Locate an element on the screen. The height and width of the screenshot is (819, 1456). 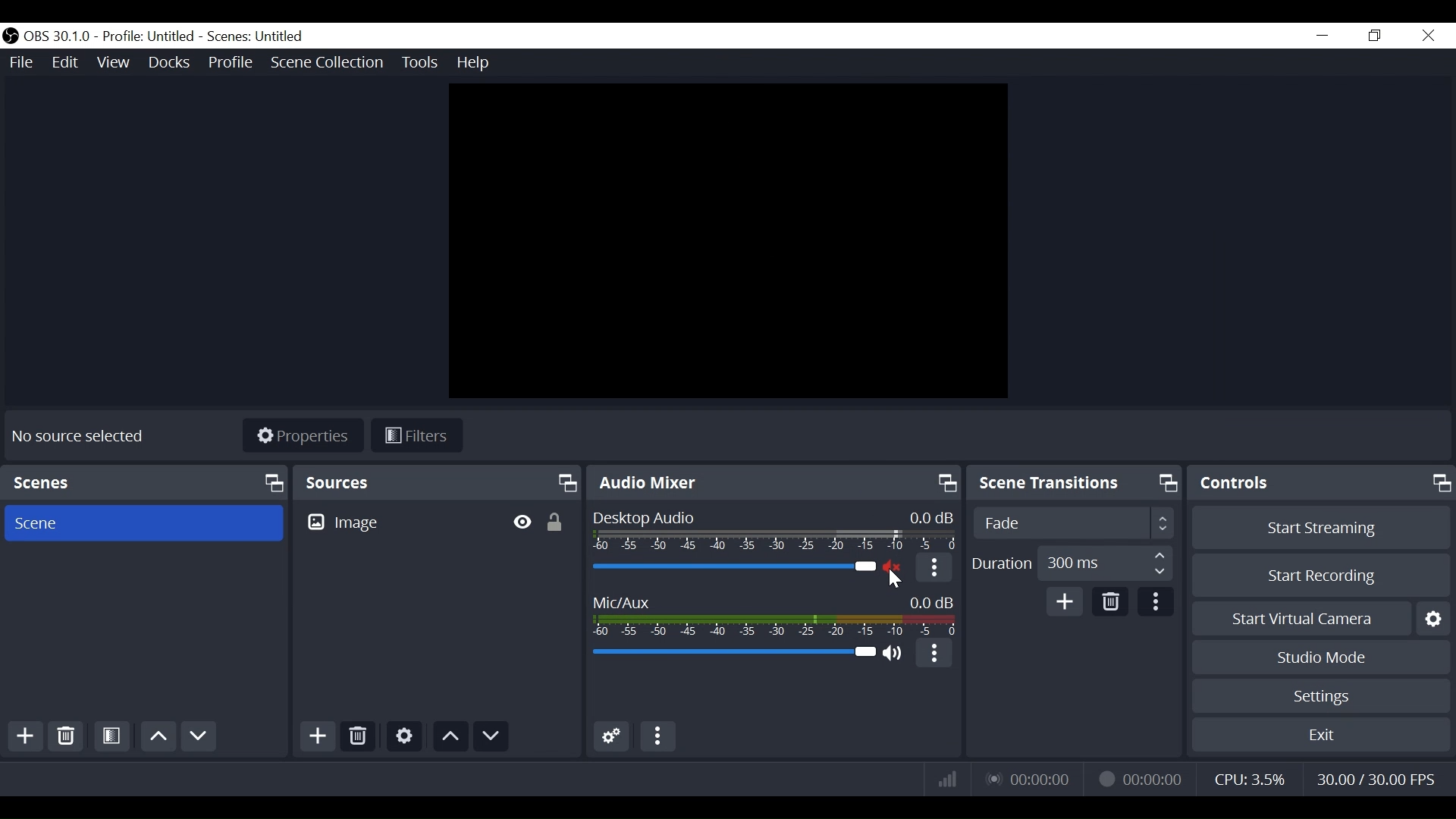
Restore is located at coordinates (1378, 36).